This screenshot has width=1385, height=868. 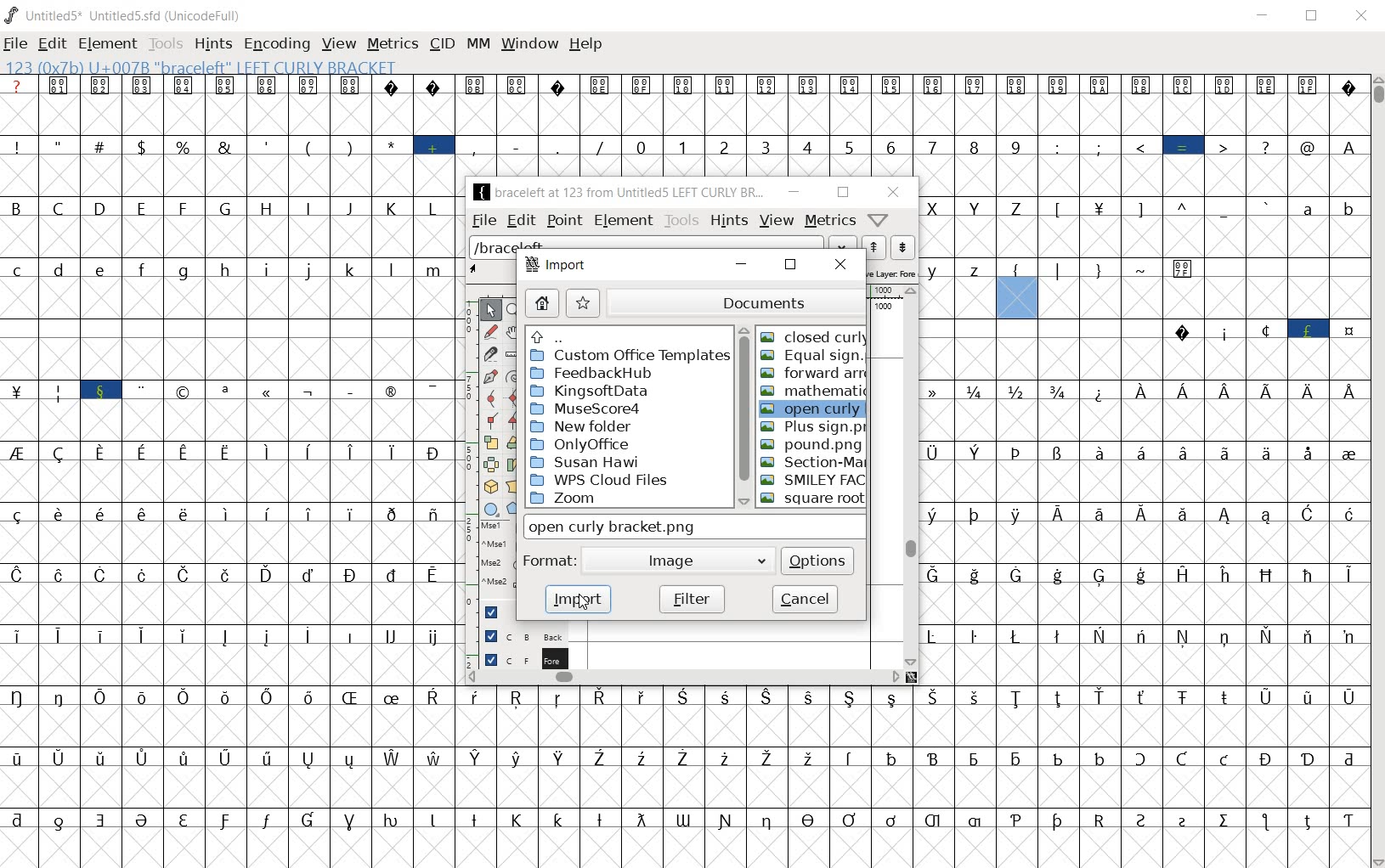 What do you see at coordinates (478, 45) in the screenshot?
I see `mm` at bounding box center [478, 45].